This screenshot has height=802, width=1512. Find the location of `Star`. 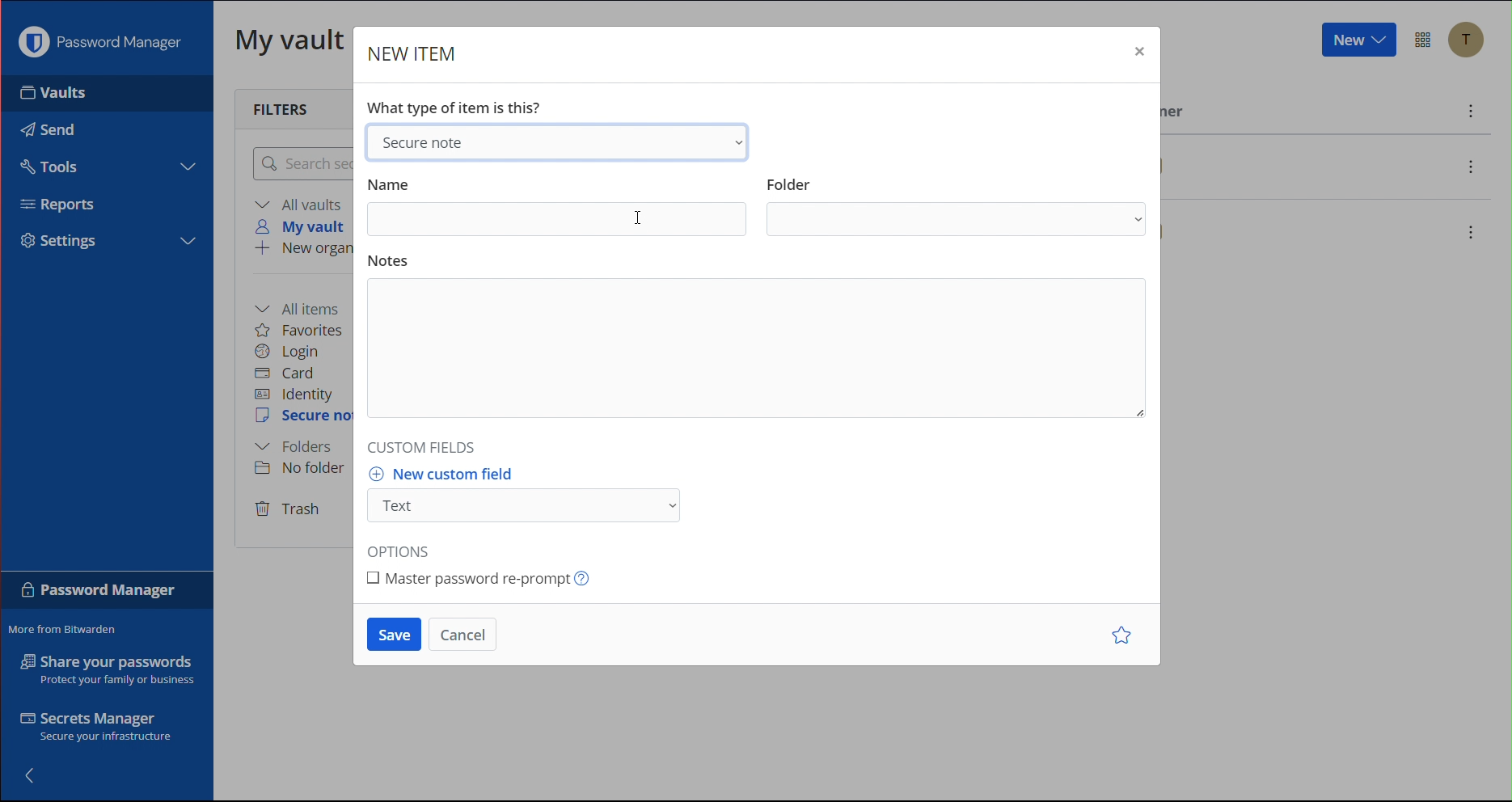

Star is located at coordinates (1118, 635).